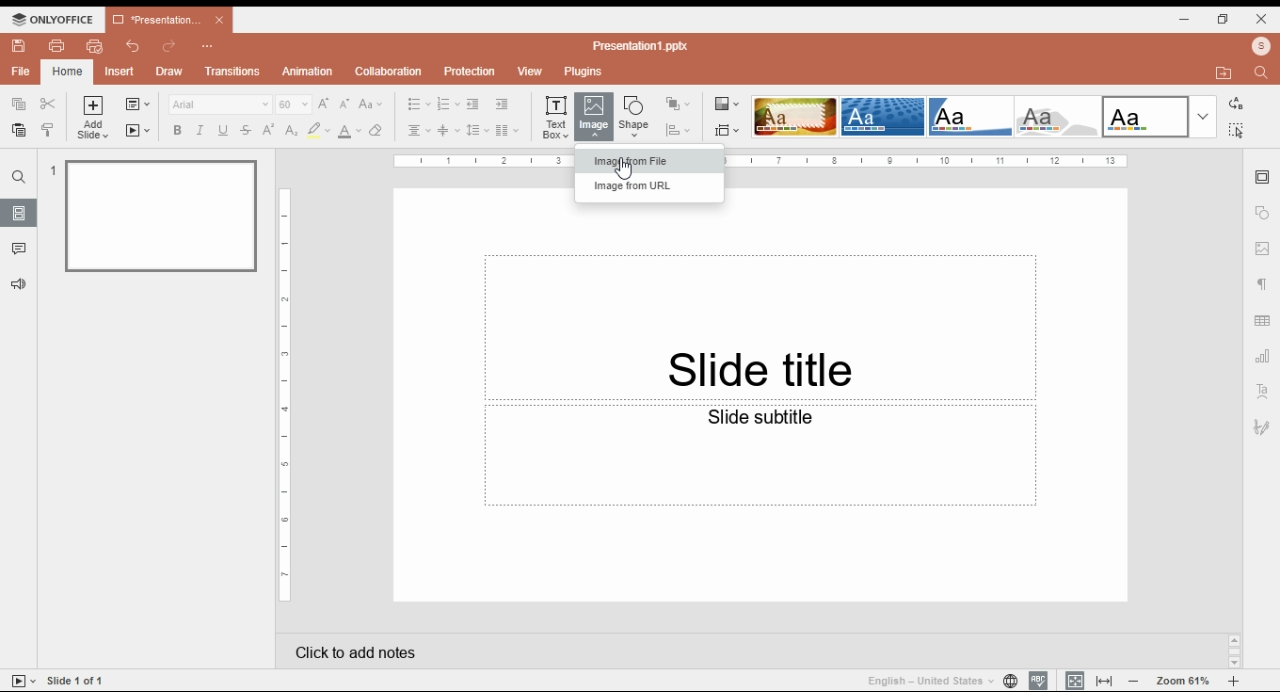 The image size is (1280, 692). What do you see at coordinates (68, 72) in the screenshot?
I see `home` at bounding box center [68, 72].